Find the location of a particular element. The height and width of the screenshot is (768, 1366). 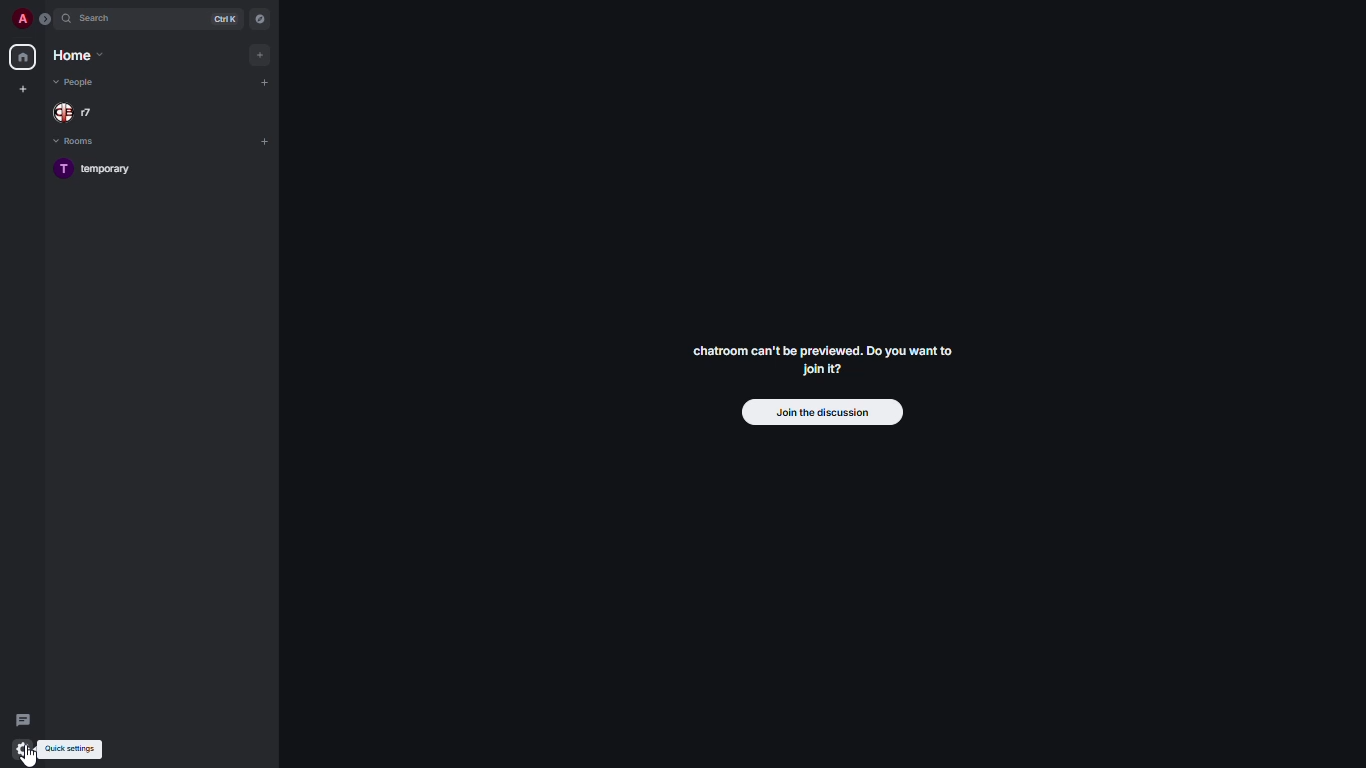

create new space is located at coordinates (20, 89).